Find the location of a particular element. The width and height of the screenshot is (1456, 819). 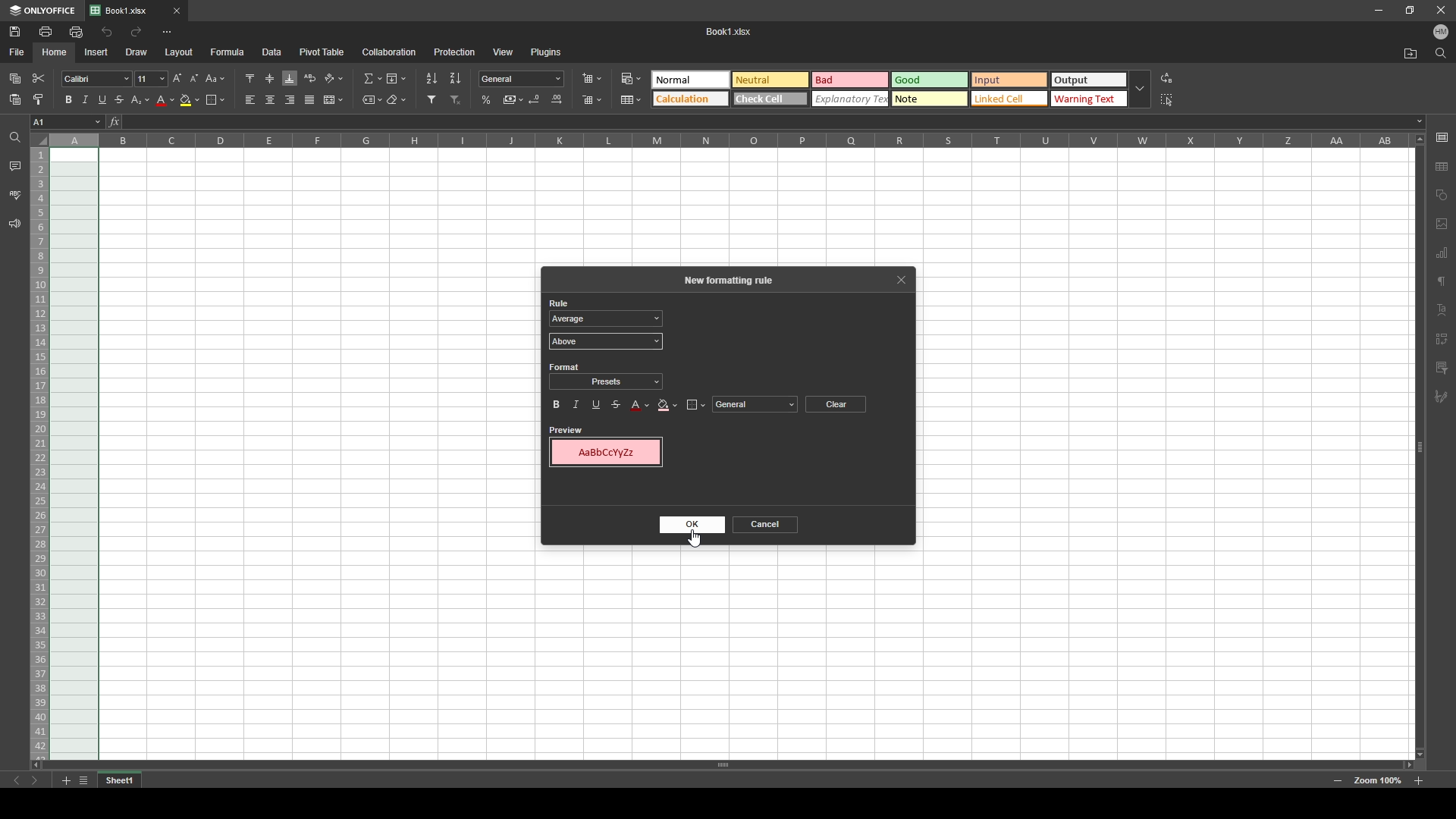

insert cells is located at coordinates (591, 79).